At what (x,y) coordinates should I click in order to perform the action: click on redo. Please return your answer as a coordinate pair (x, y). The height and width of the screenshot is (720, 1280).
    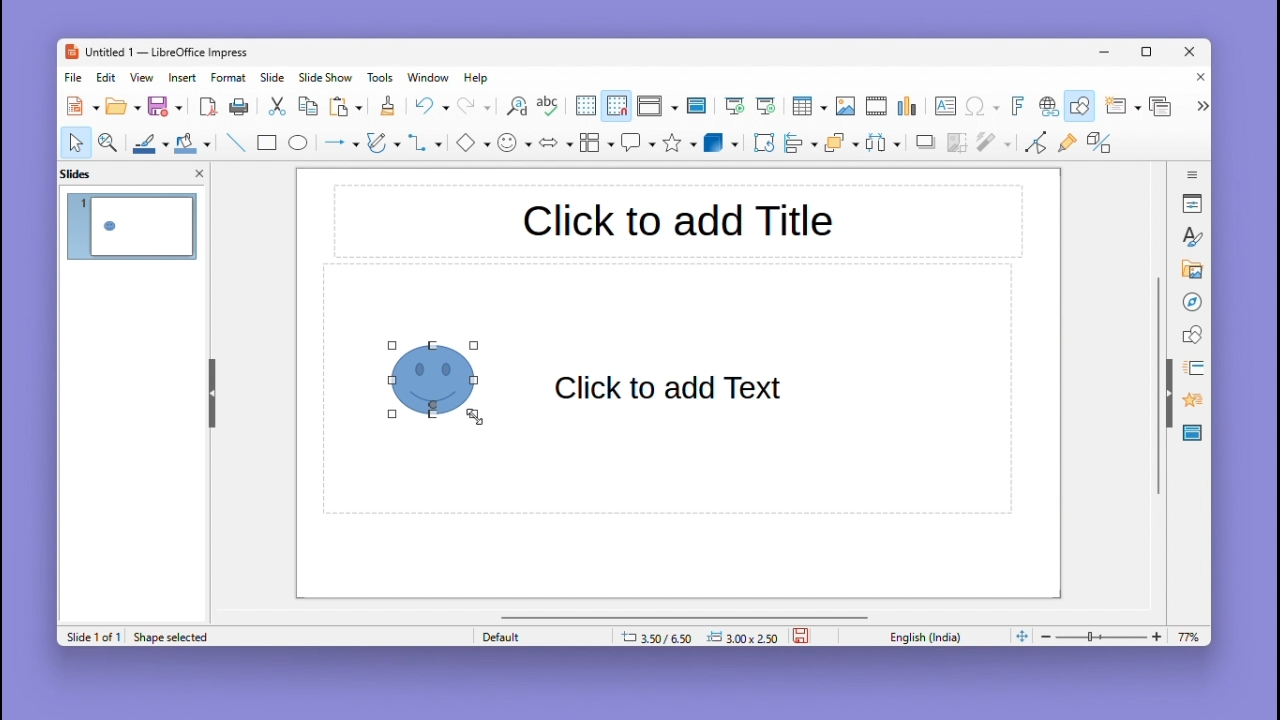
    Looking at the image, I should click on (475, 107).